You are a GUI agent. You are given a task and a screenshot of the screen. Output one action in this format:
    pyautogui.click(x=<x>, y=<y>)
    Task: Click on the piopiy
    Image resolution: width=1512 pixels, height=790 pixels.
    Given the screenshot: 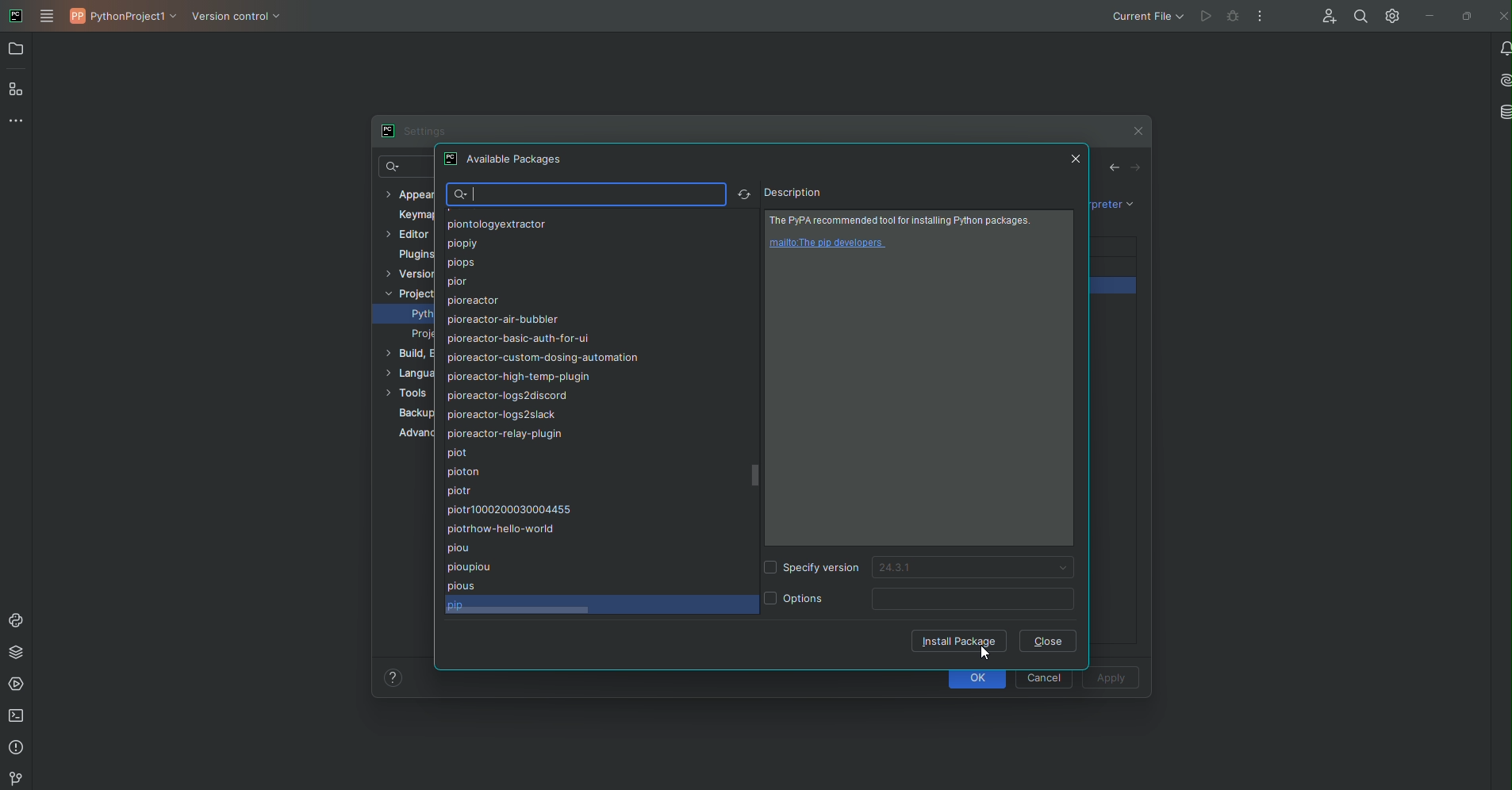 What is the action you would take?
    pyautogui.click(x=463, y=244)
    